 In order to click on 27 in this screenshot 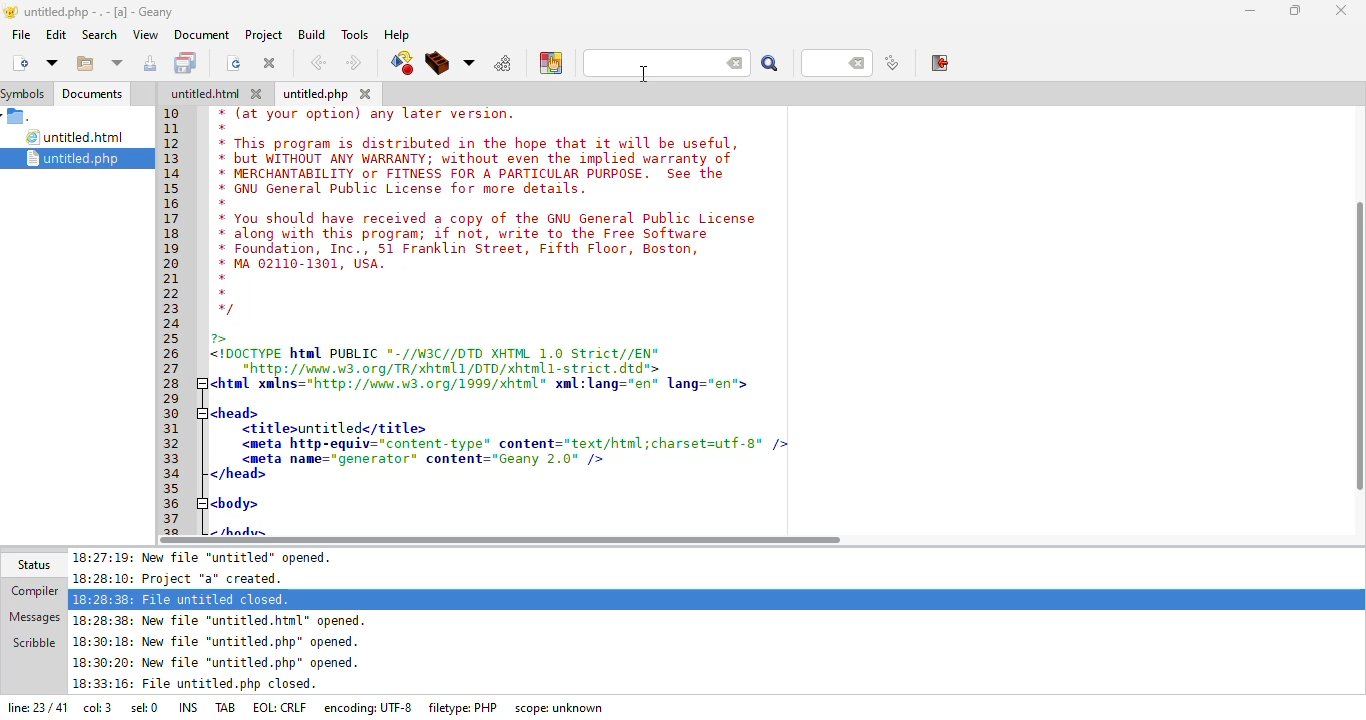, I will do `click(174, 368)`.